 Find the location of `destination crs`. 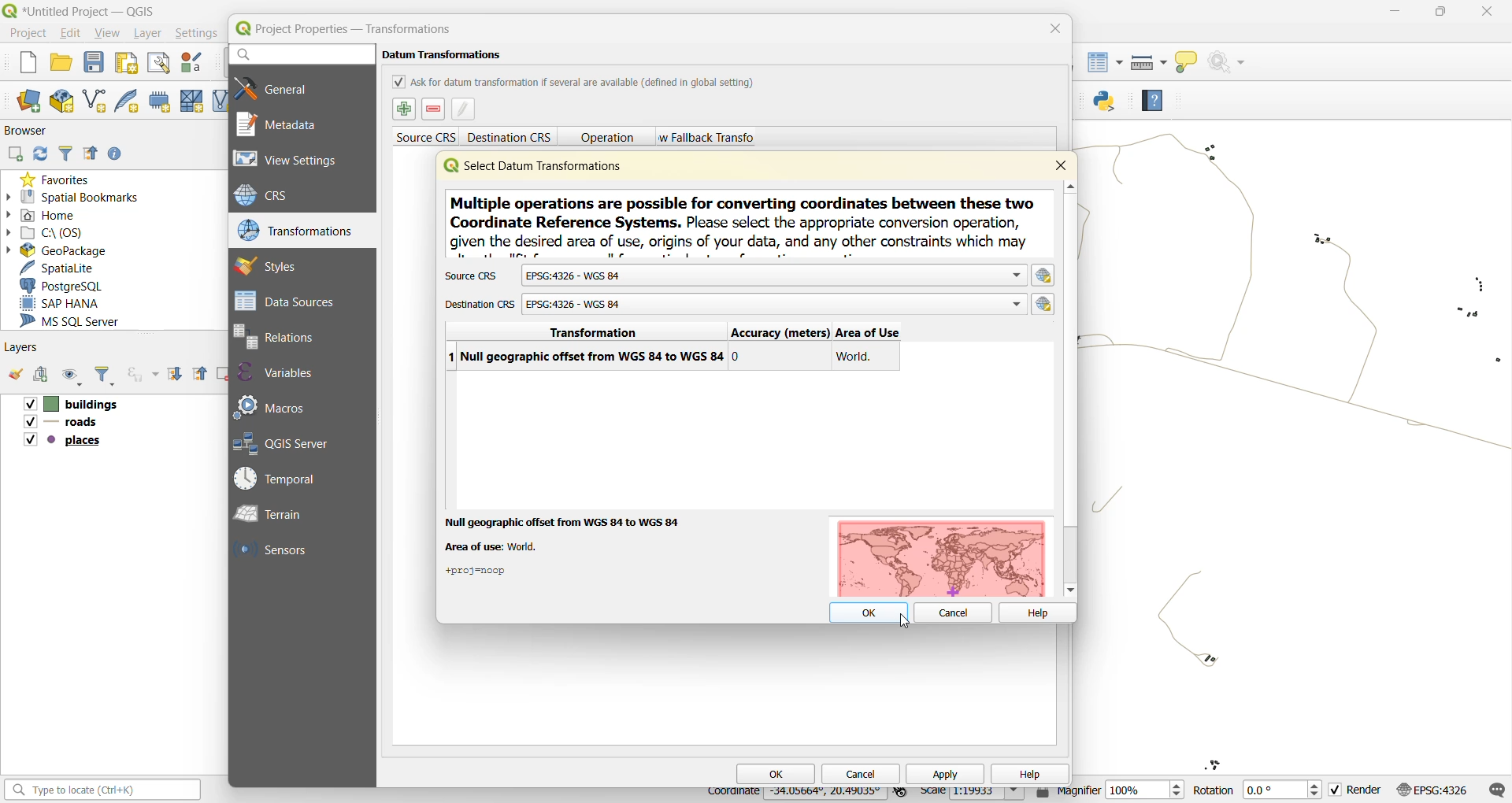

destination crs is located at coordinates (479, 303).